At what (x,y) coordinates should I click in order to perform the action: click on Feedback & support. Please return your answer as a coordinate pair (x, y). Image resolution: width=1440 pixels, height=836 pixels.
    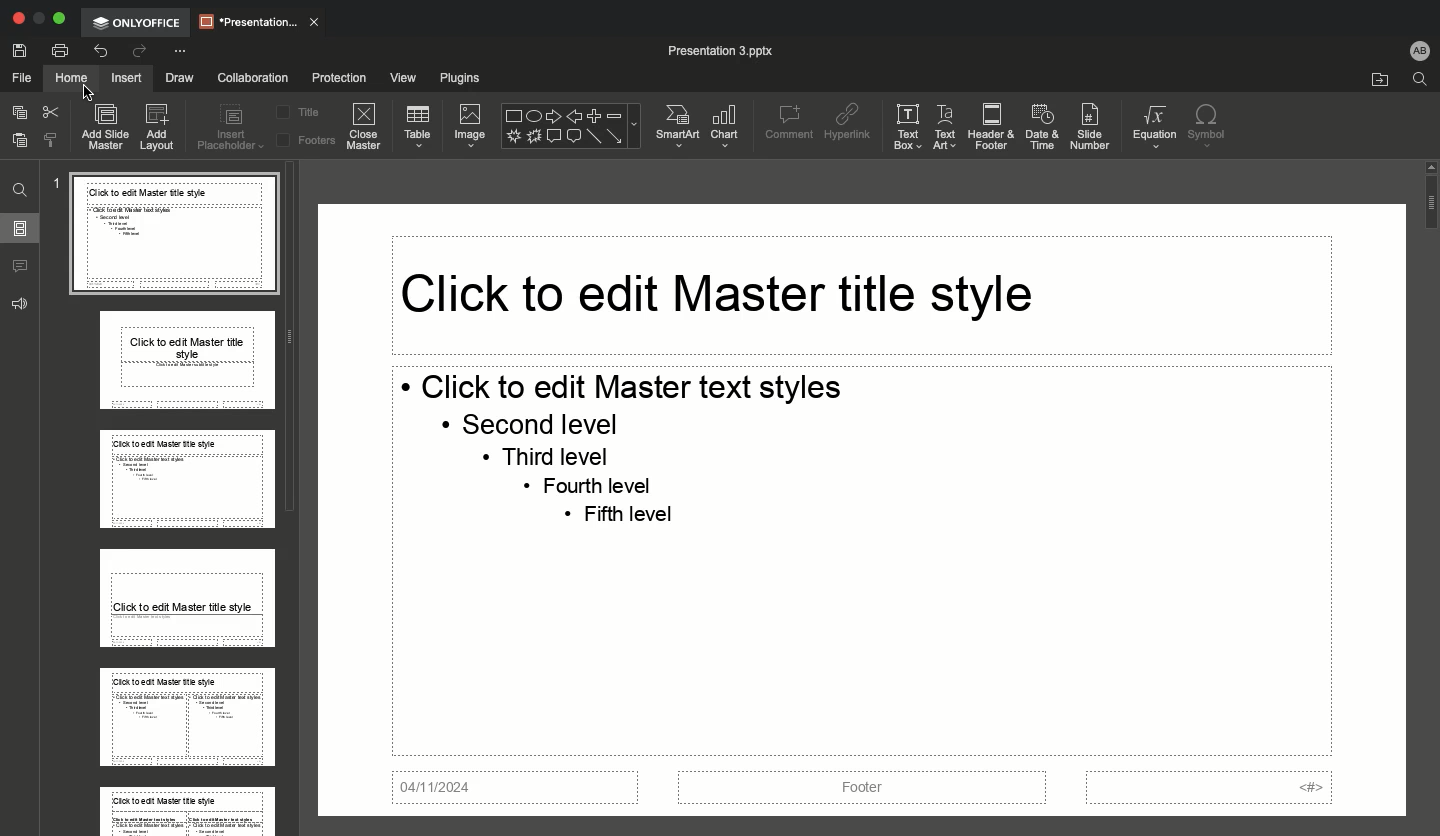
    Looking at the image, I should click on (22, 302).